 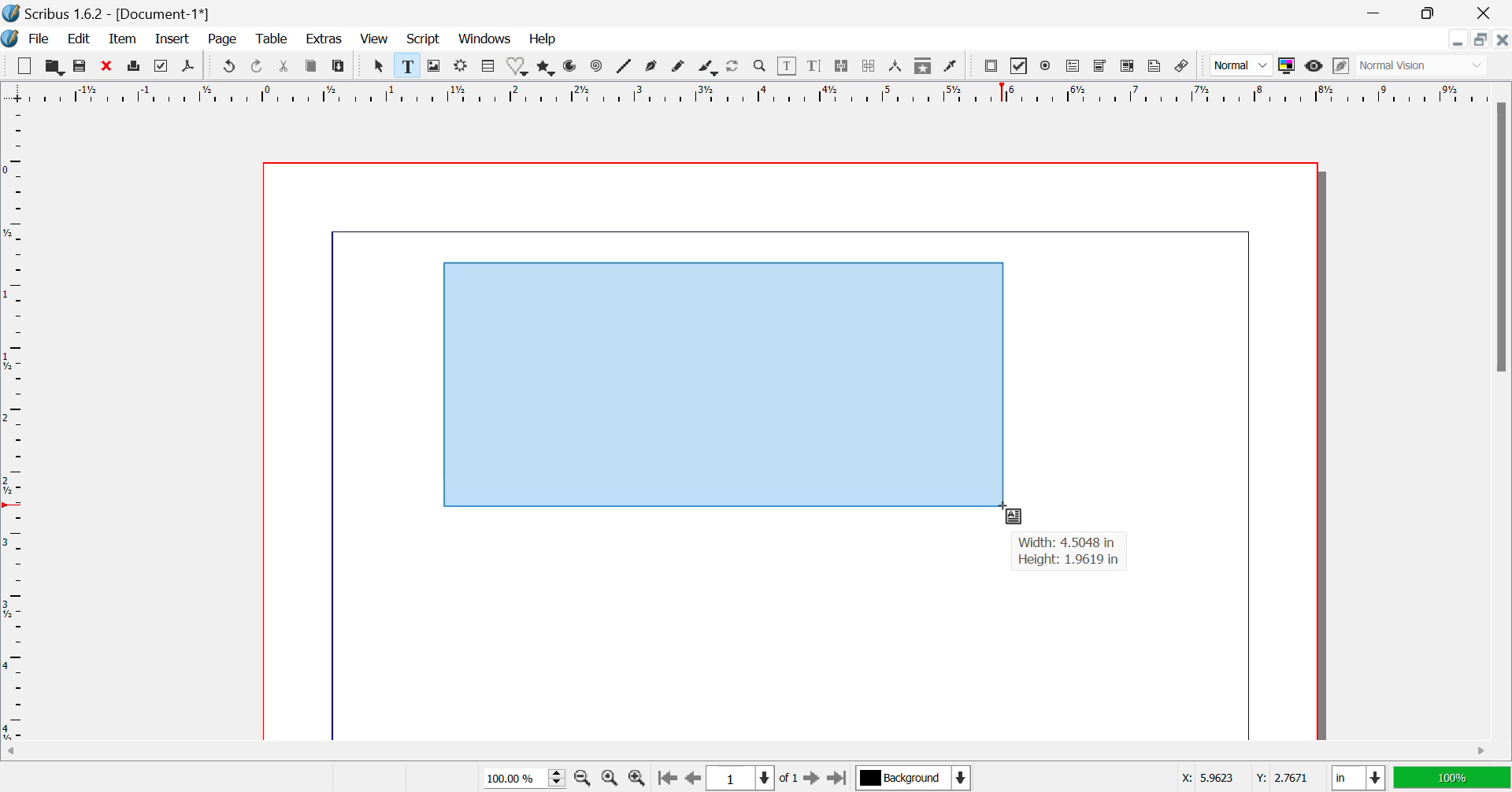 I want to click on Shapes, so click(x=520, y=68).